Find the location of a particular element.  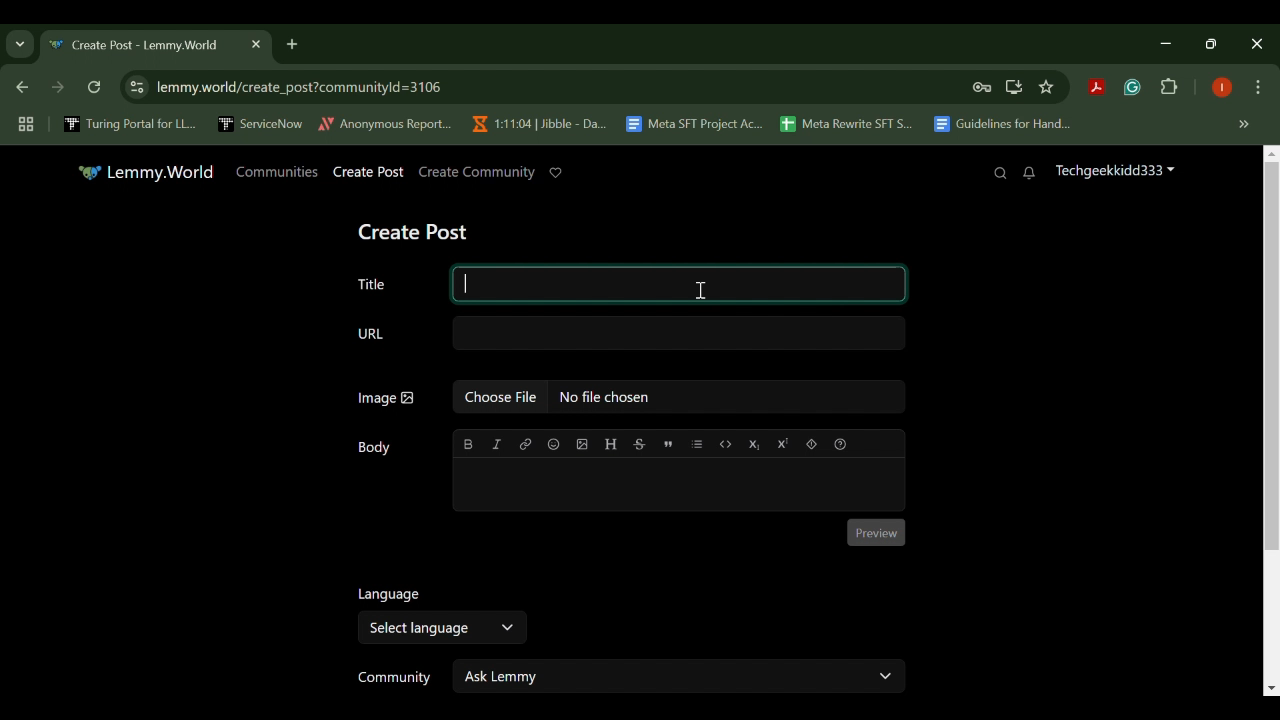

Grammarly Extension is located at coordinates (1130, 88).